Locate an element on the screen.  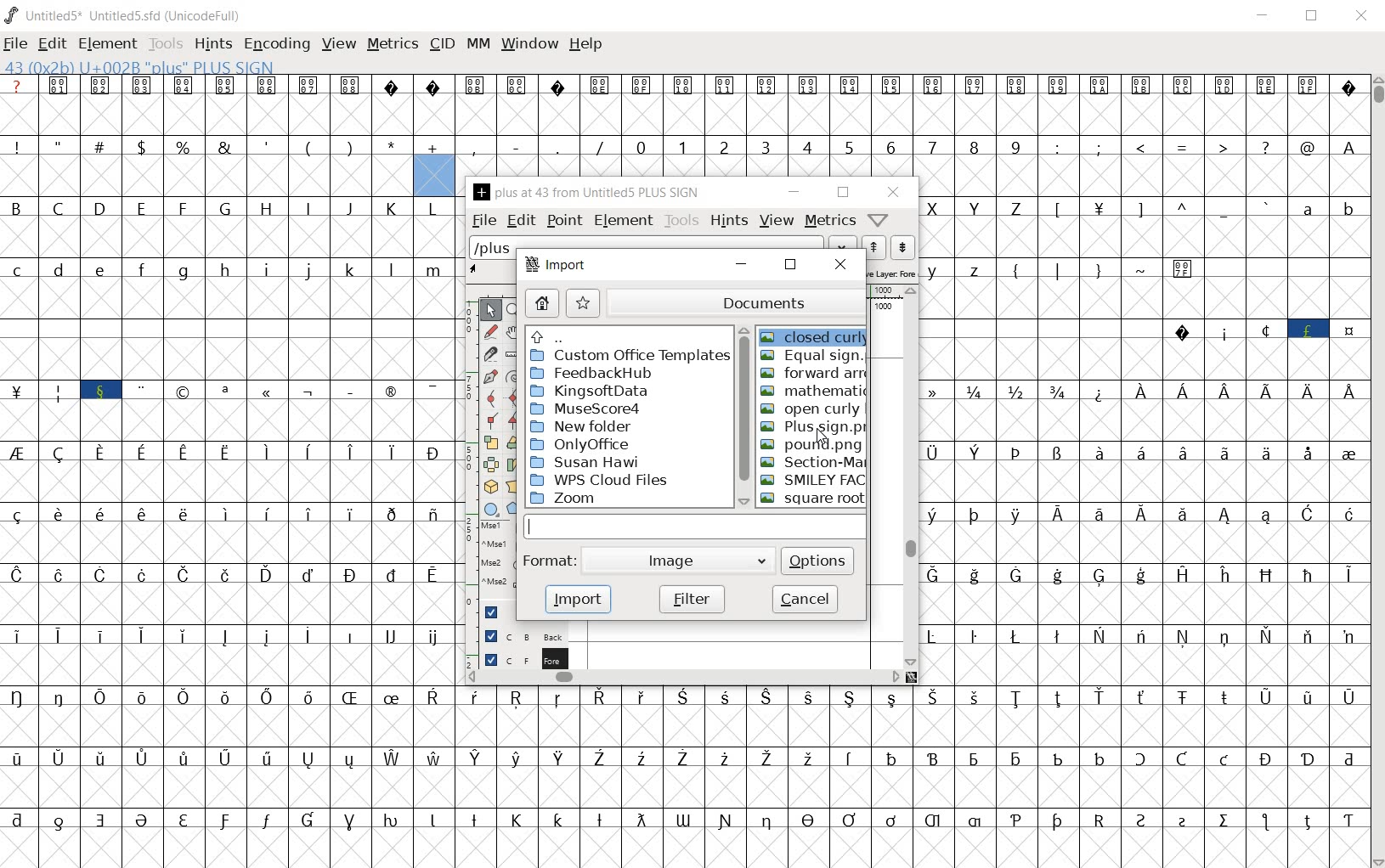
https://labeling-s.turing.com/conversations/75682/view is located at coordinates (1098, 778).